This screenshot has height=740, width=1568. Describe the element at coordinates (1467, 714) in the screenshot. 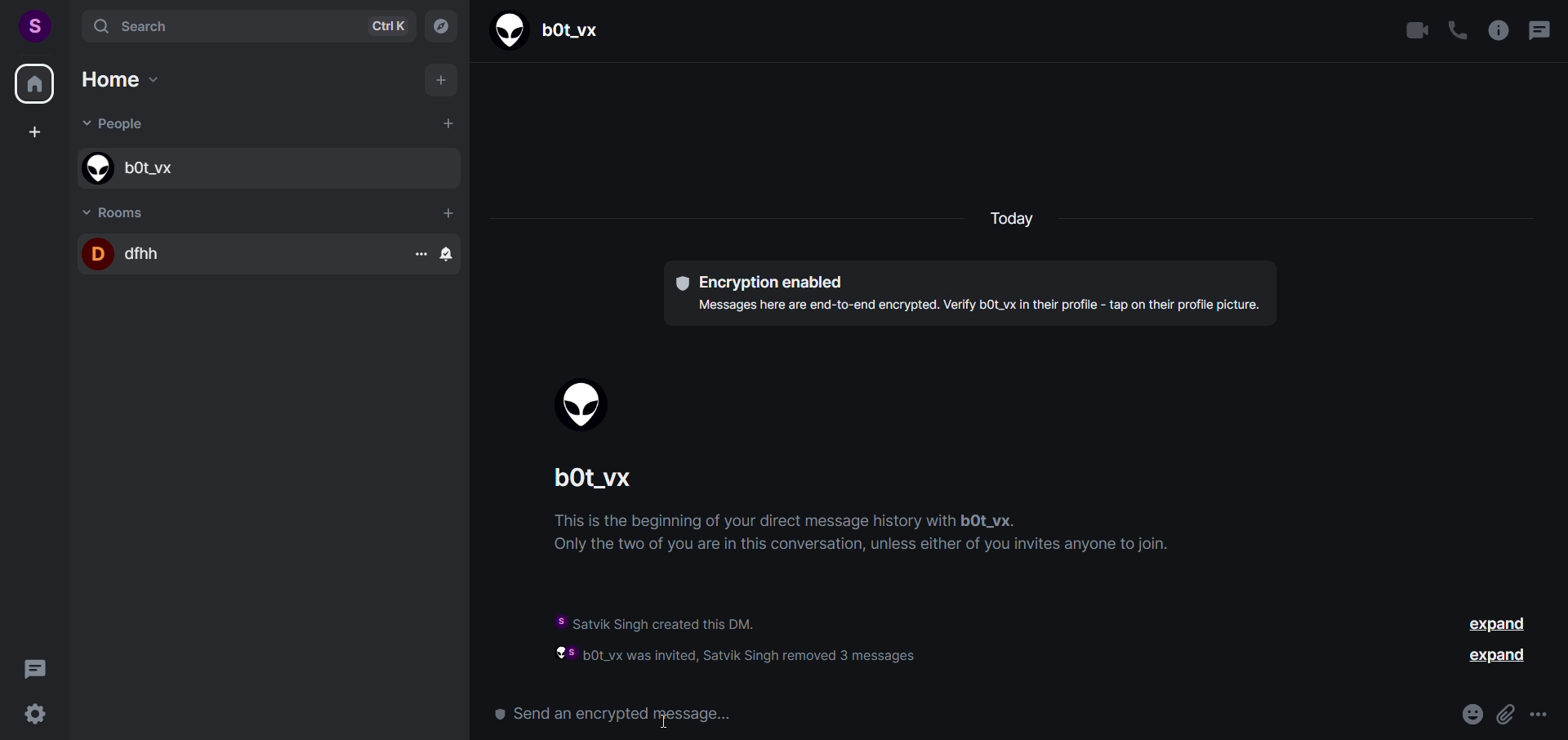

I see `emoji` at that location.